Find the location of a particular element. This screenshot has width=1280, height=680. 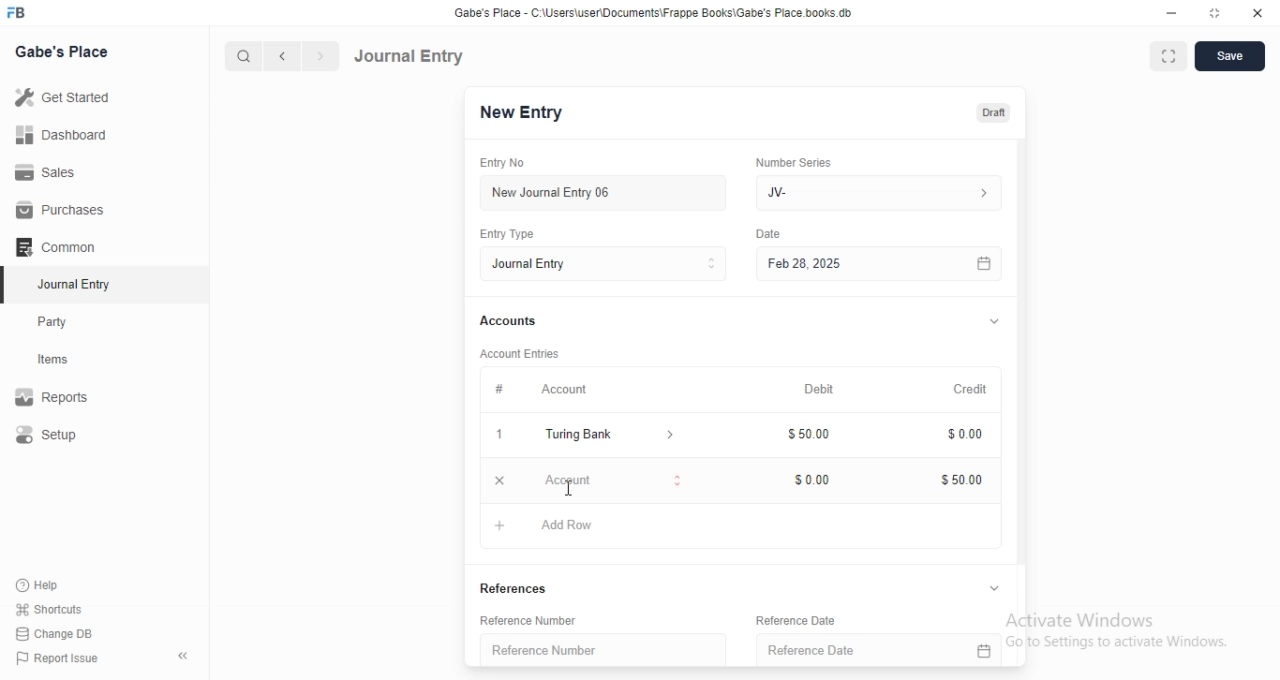

Reference Number is located at coordinates (540, 621).